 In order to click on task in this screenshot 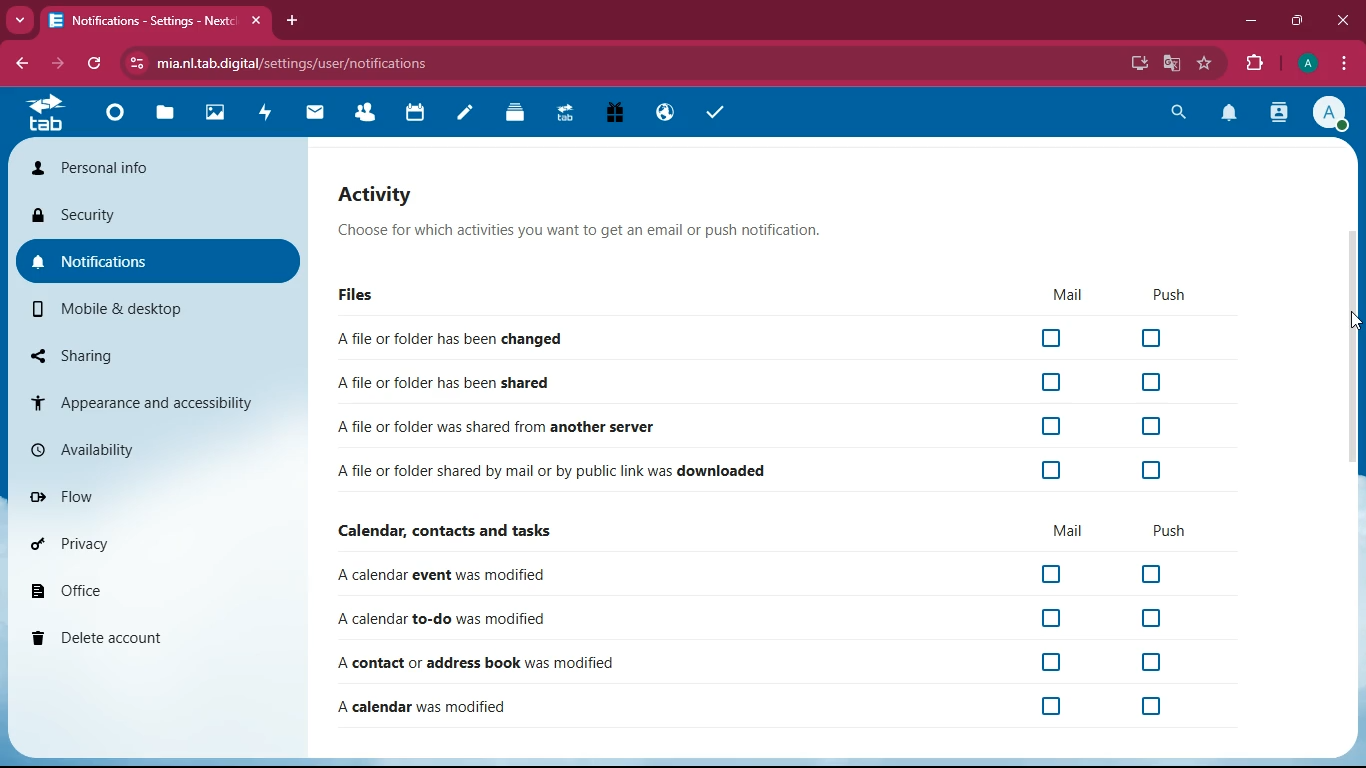, I will do `click(720, 115)`.